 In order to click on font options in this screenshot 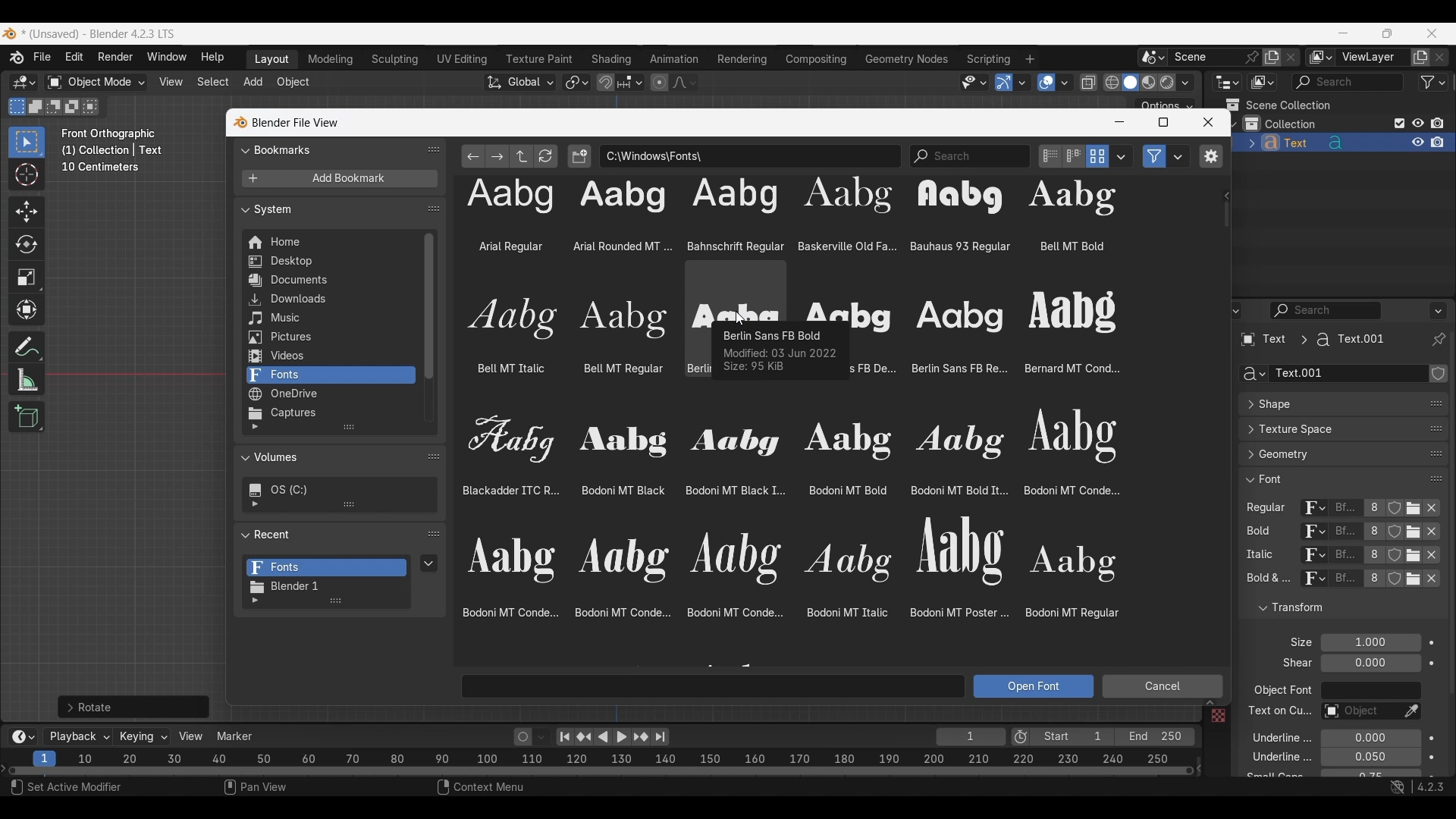, I will do `click(563, 332)`.